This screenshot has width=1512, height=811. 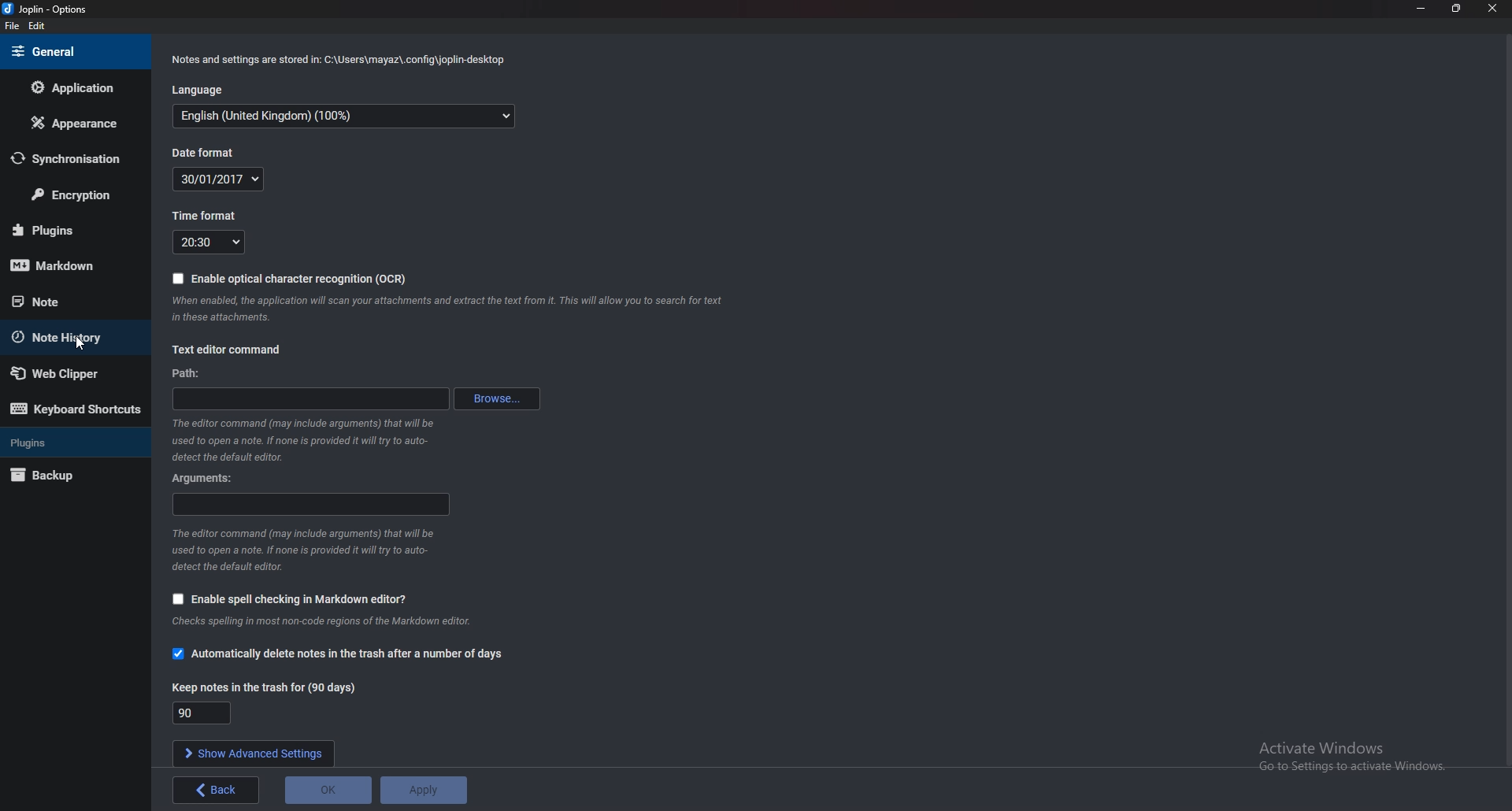 What do you see at coordinates (70, 443) in the screenshot?
I see `Plugins` at bounding box center [70, 443].